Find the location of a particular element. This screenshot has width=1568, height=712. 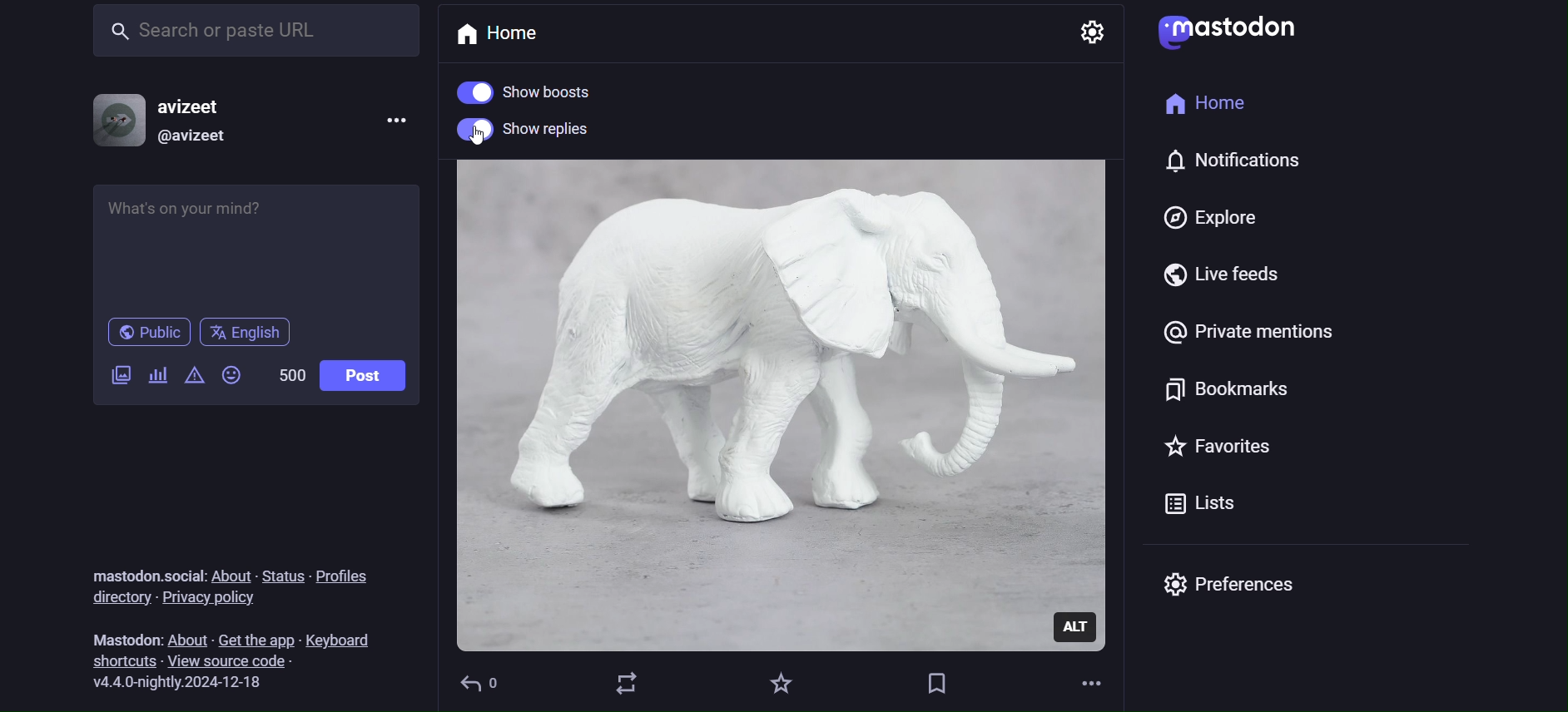

lists is located at coordinates (1197, 507).